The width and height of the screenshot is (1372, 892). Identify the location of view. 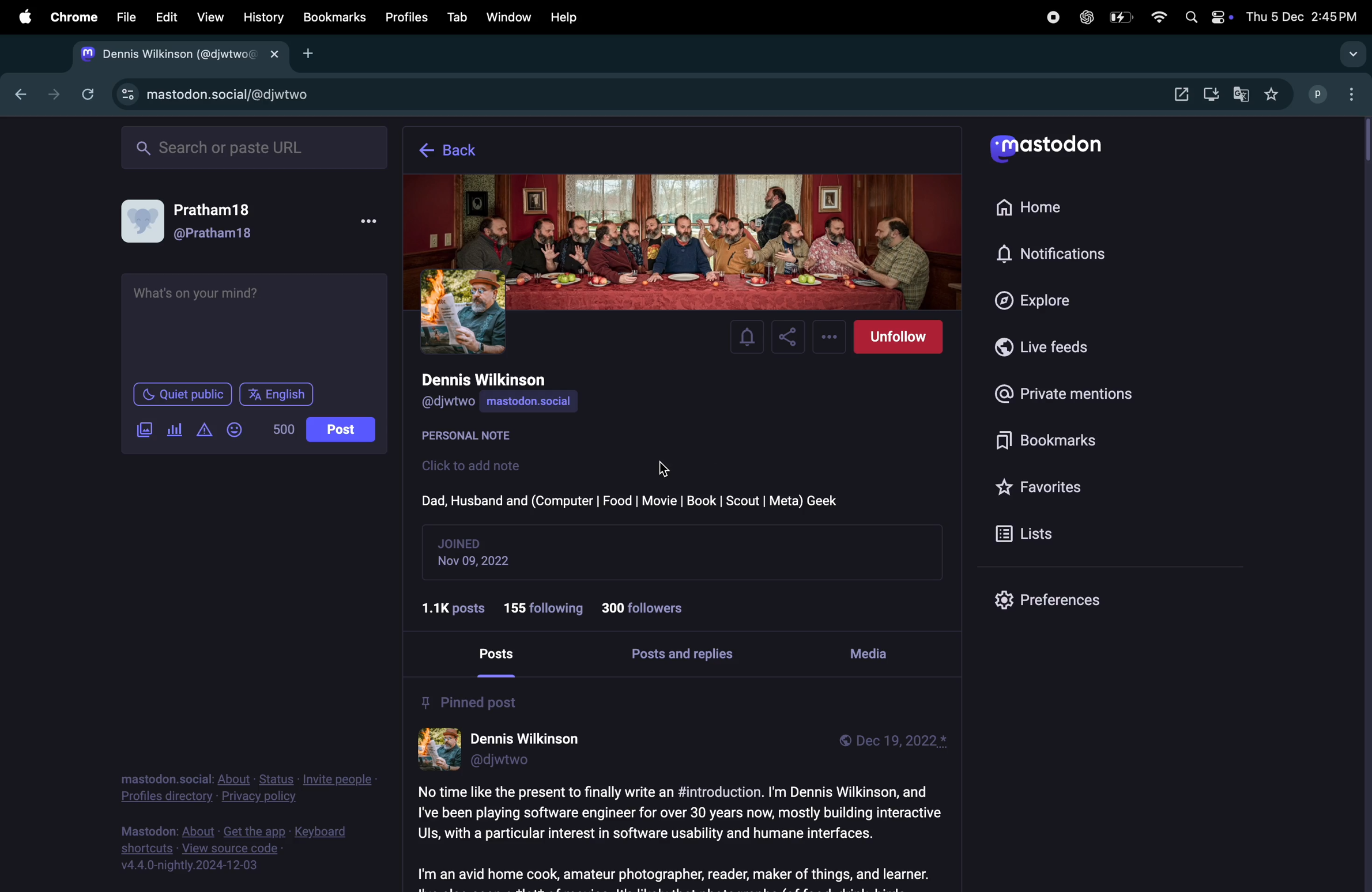
(211, 17).